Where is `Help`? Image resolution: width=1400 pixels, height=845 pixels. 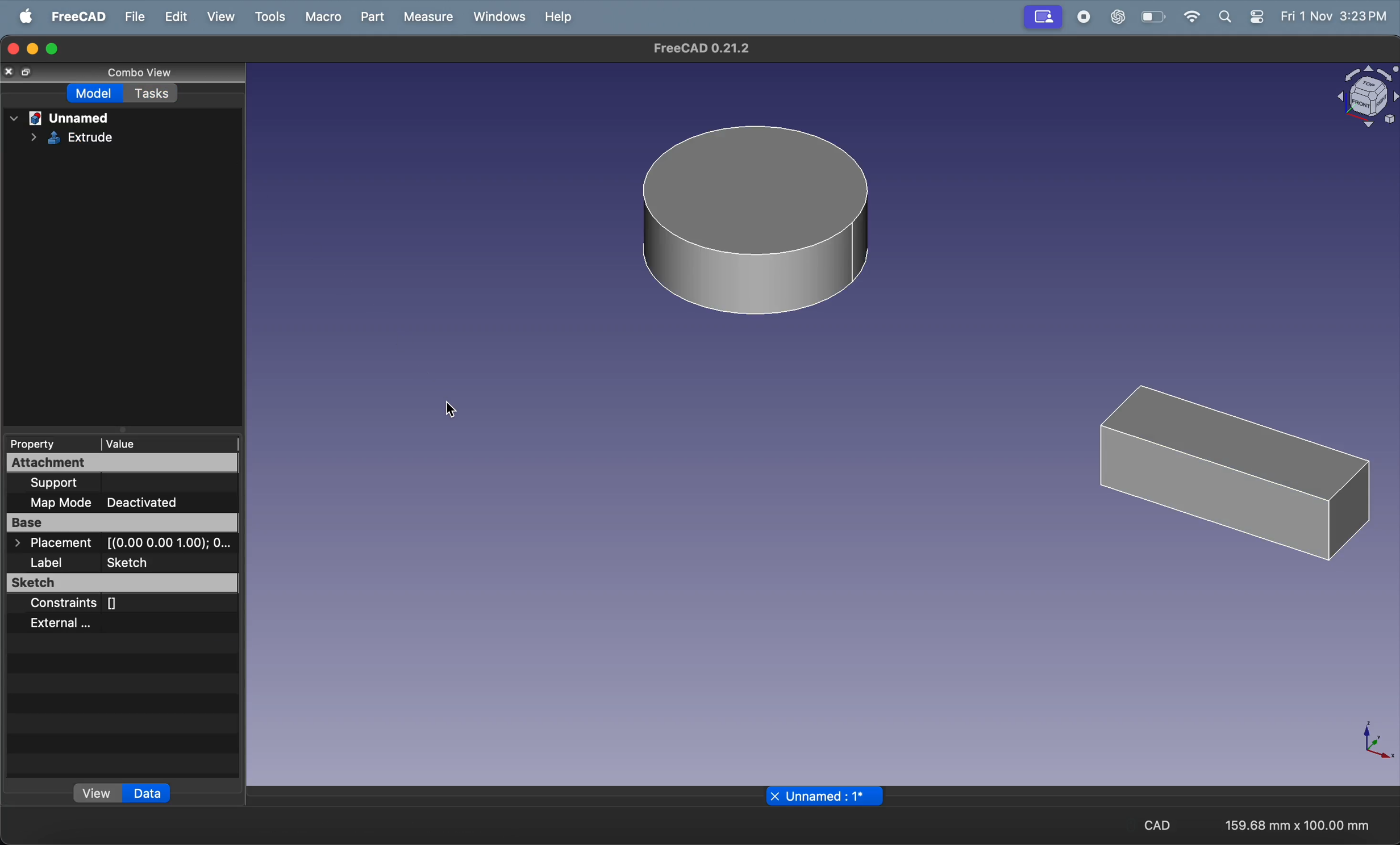 Help is located at coordinates (561, 17).